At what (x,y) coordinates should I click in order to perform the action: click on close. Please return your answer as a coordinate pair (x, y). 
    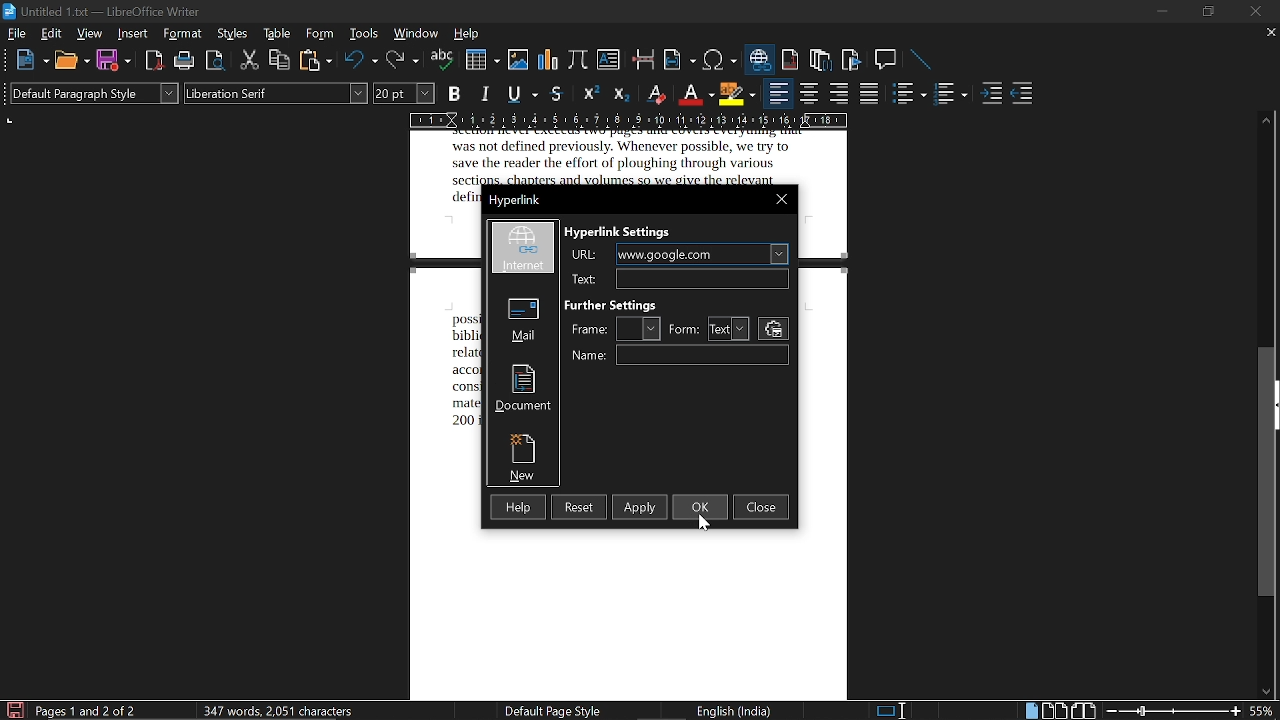
    Looking at the image, I should click on (783, 198).